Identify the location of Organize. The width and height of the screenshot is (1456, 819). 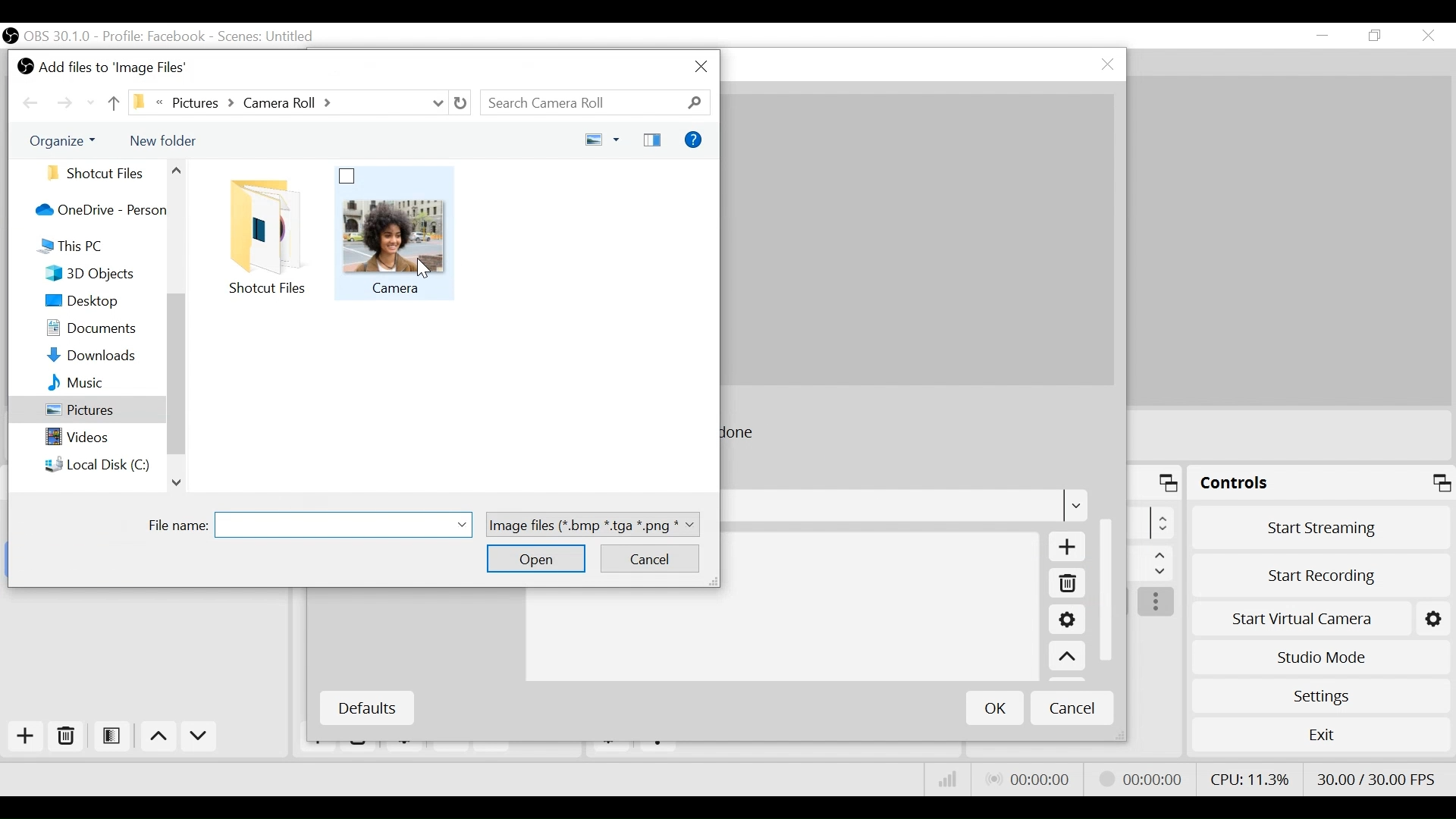
(69, 143).